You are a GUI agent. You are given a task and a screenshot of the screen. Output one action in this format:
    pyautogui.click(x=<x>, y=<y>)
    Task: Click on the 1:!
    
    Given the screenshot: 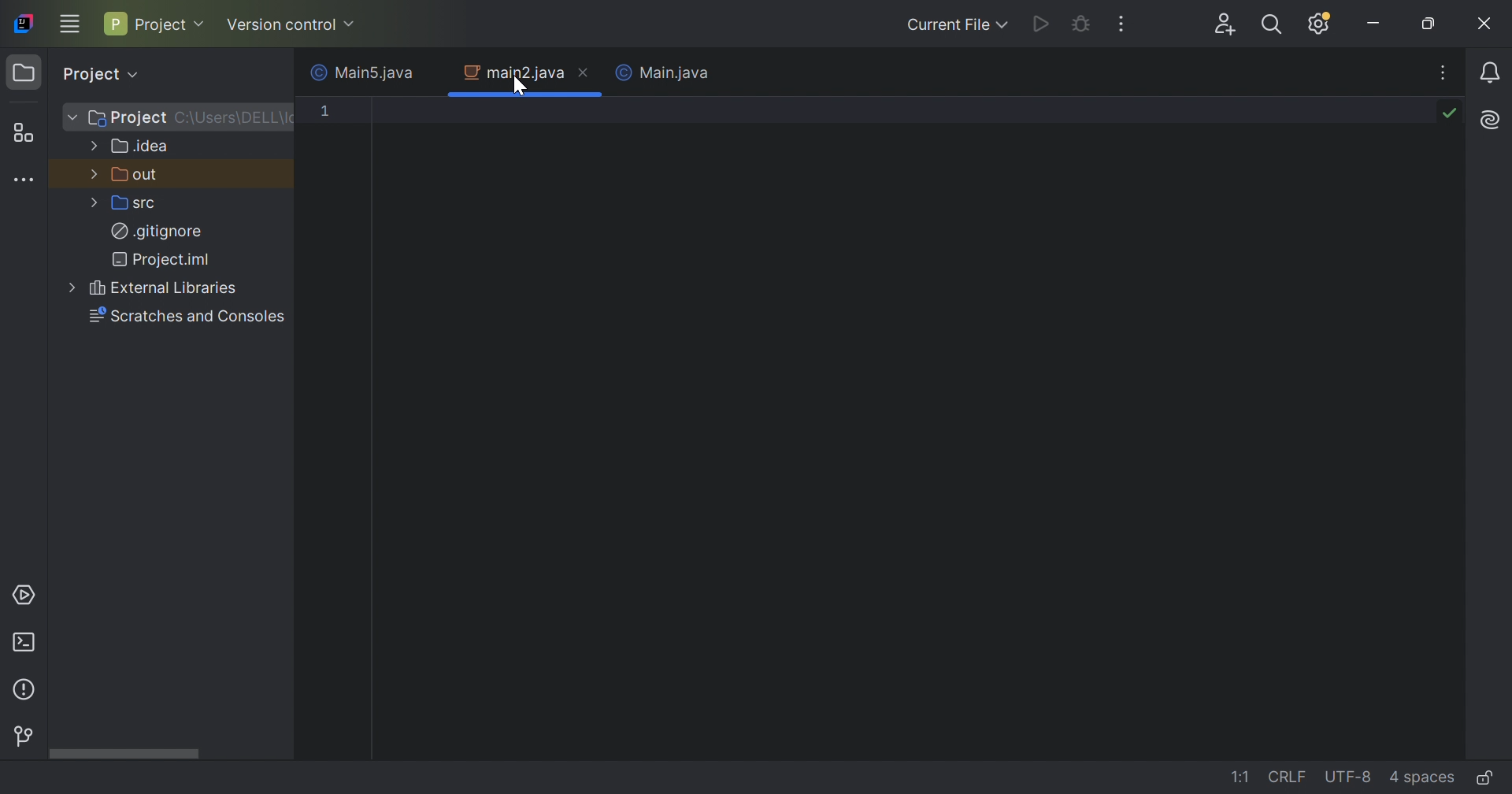 What is the action you would take?
    pyautogui.click(x=1245, y=780)
    